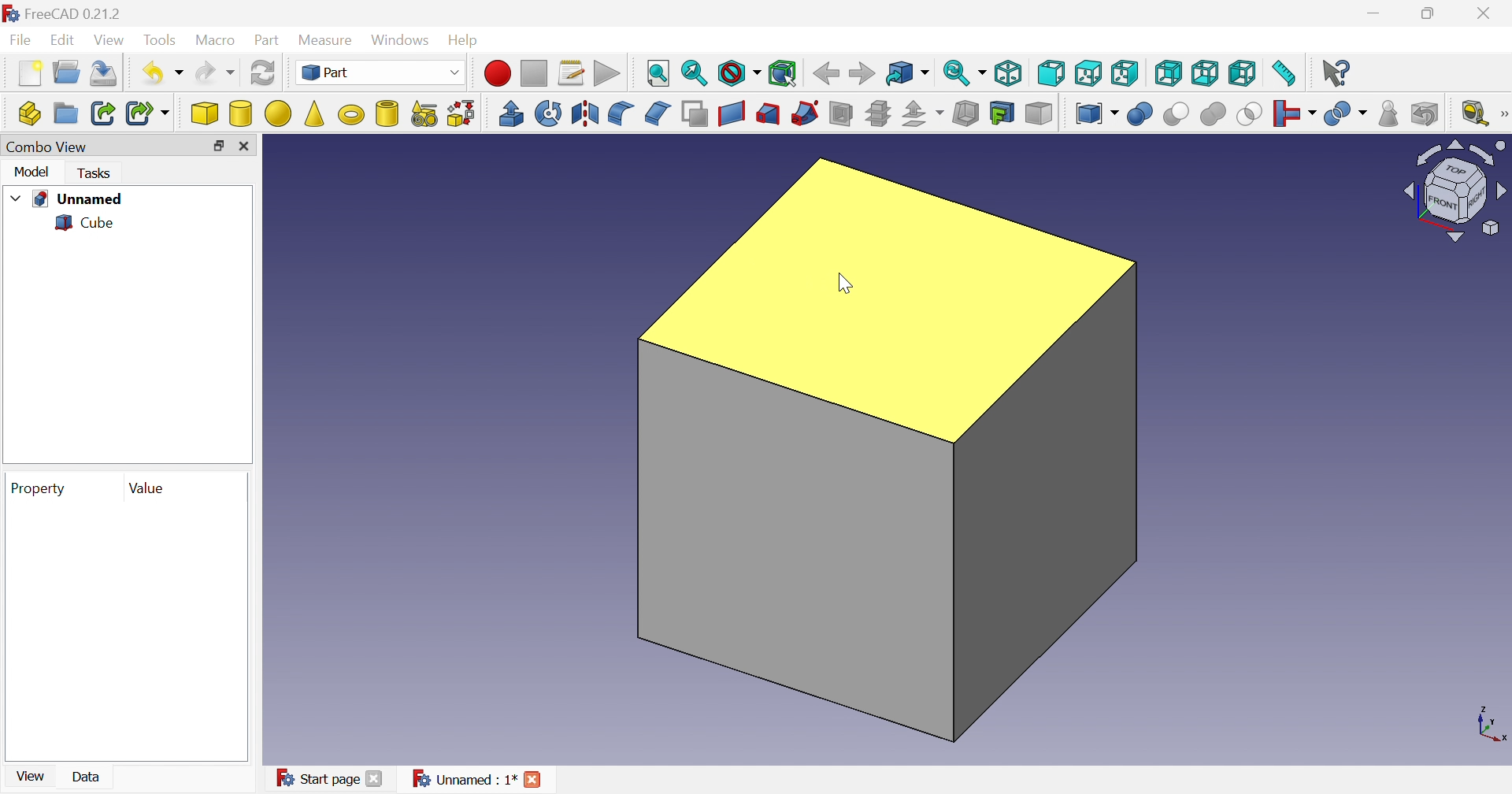  Describe the element at coordinates (41, 489) in the screenshot. I see `Property` at that location.